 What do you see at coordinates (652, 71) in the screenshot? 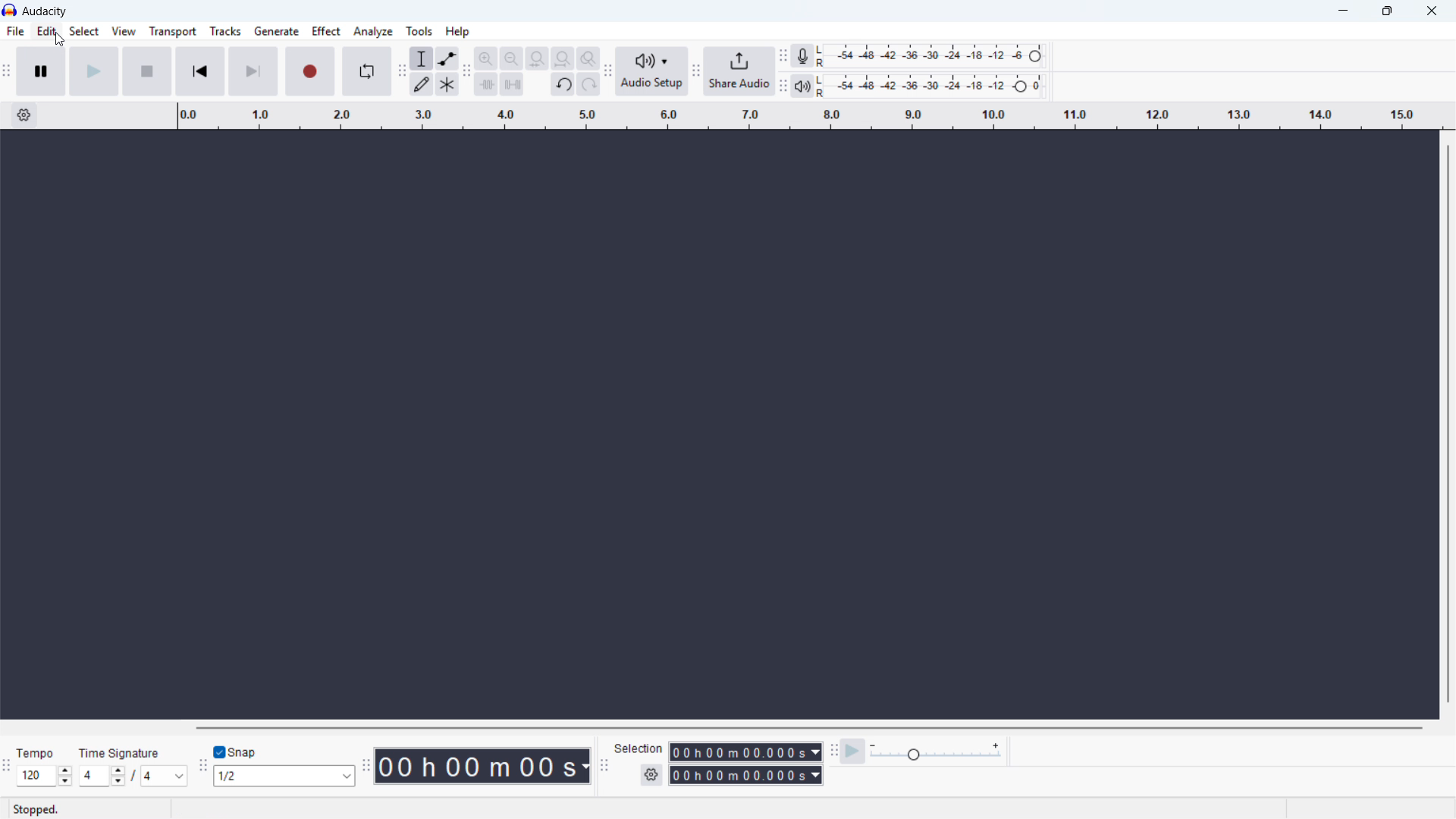
I see `audio setup` at bounding box center [652, 71].